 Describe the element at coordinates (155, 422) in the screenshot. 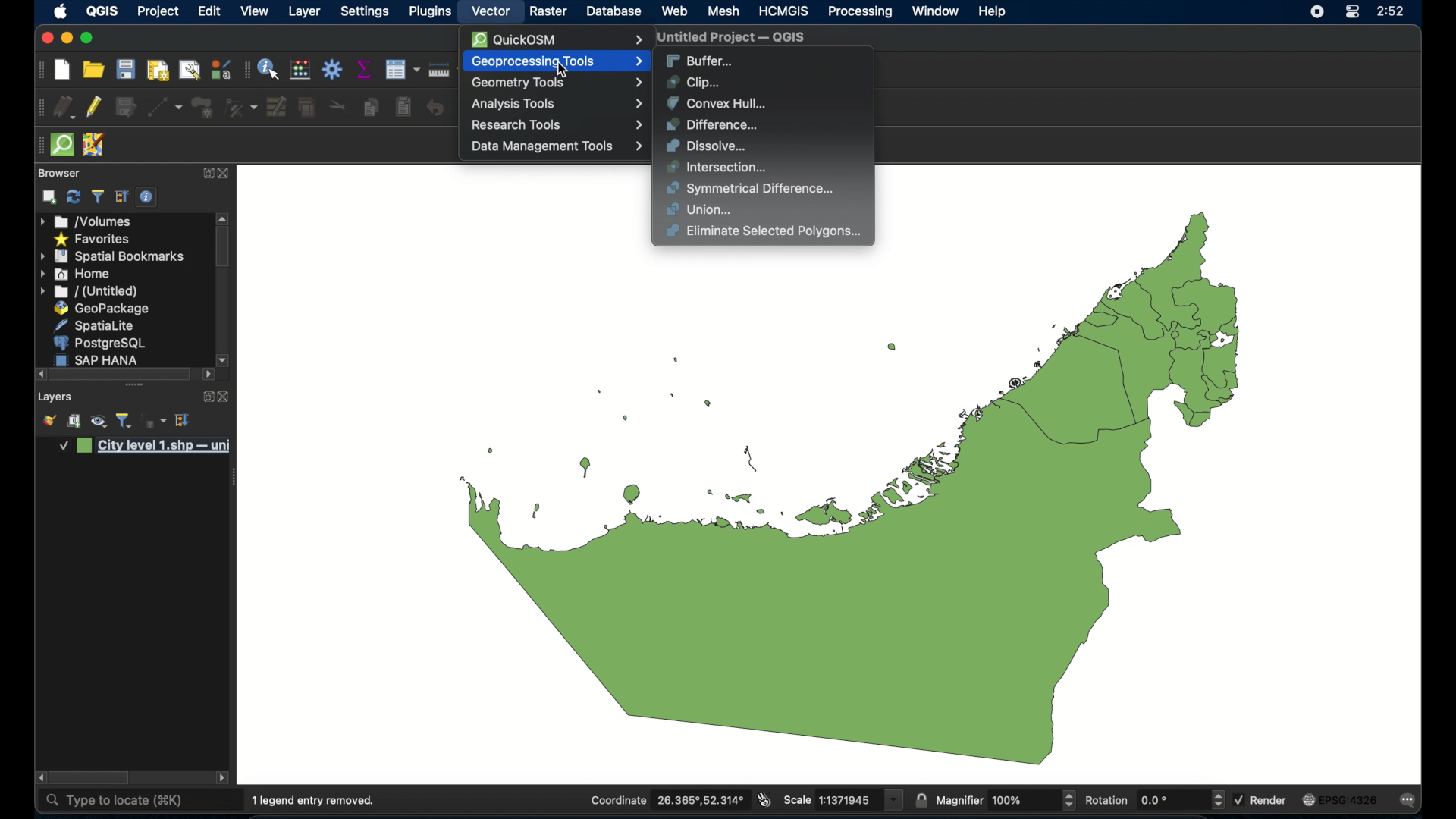

I see `fileter legend by expression` at that location.